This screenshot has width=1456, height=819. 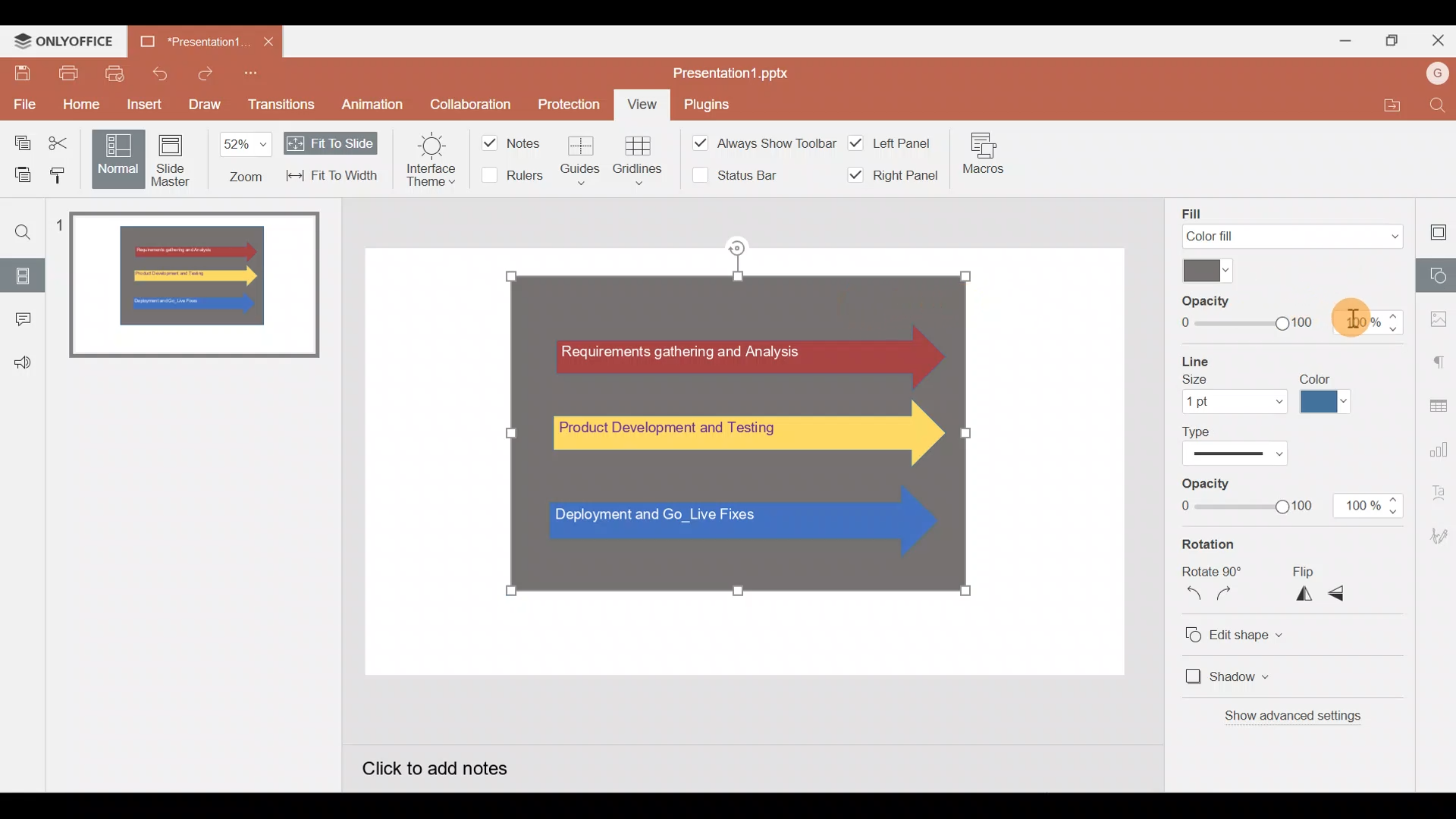 What do you see at coordinates (1436, 315) in the screenshot?
I see `Image settings` at bounding box center [1436, 315].